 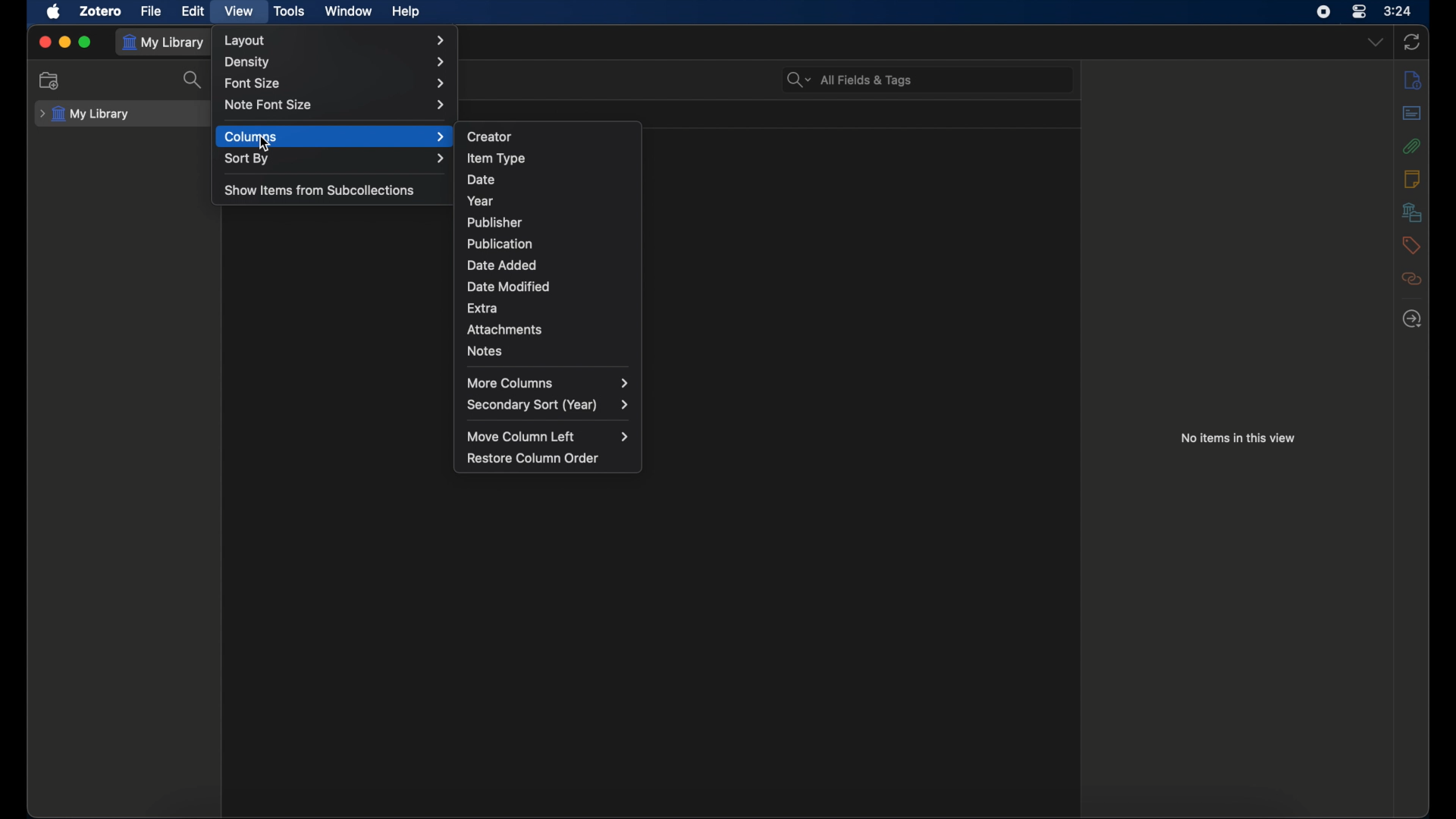 I want to click on extra, so click(x=482, y=307).